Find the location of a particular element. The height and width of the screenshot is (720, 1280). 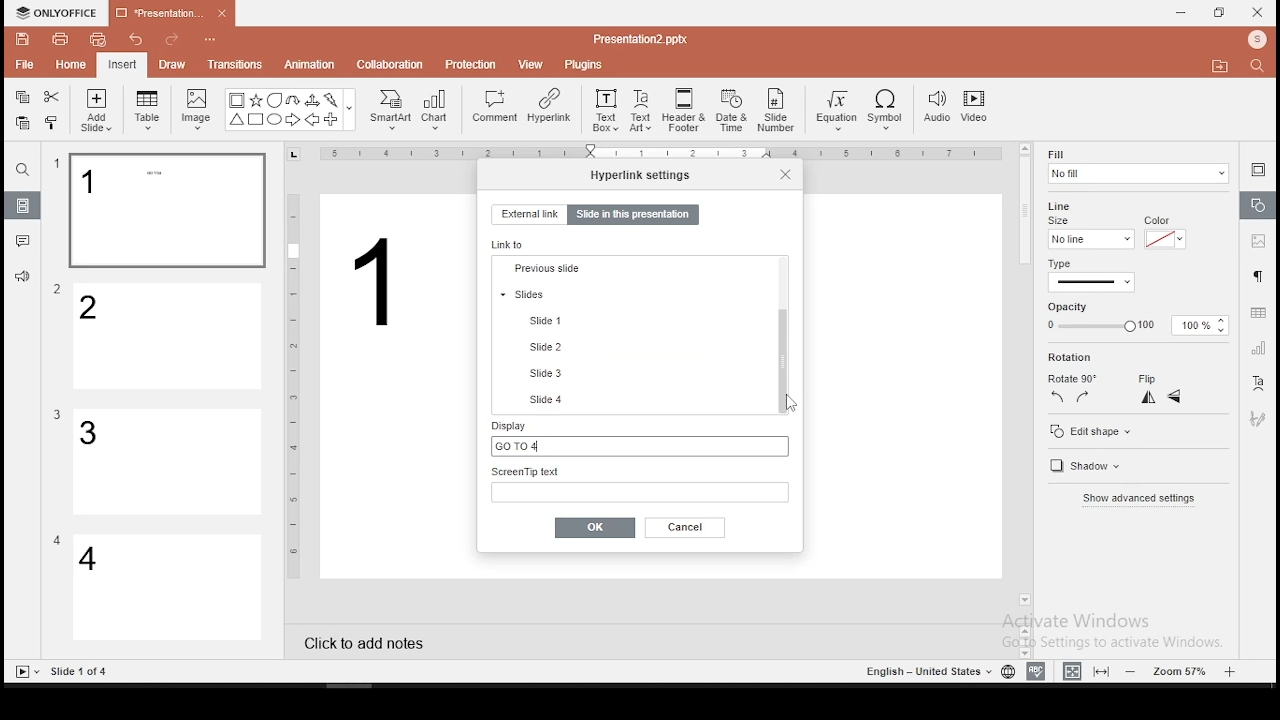

chart settings is located at coordinates (1257, 348).